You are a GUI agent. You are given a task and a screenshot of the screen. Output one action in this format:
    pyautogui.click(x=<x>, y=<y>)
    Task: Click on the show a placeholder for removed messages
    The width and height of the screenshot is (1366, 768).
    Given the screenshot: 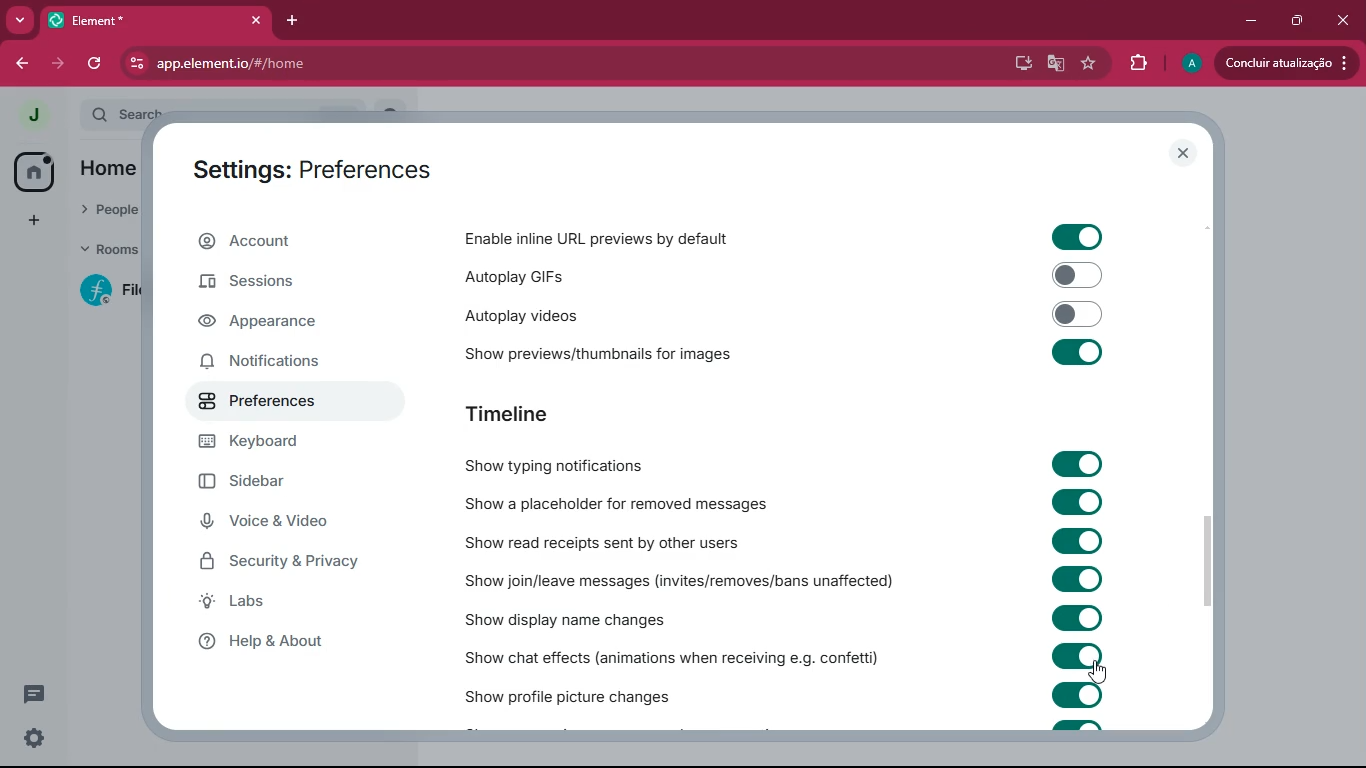 What is the action you would take?
    pyautogui.click(x=616, y=505)
    